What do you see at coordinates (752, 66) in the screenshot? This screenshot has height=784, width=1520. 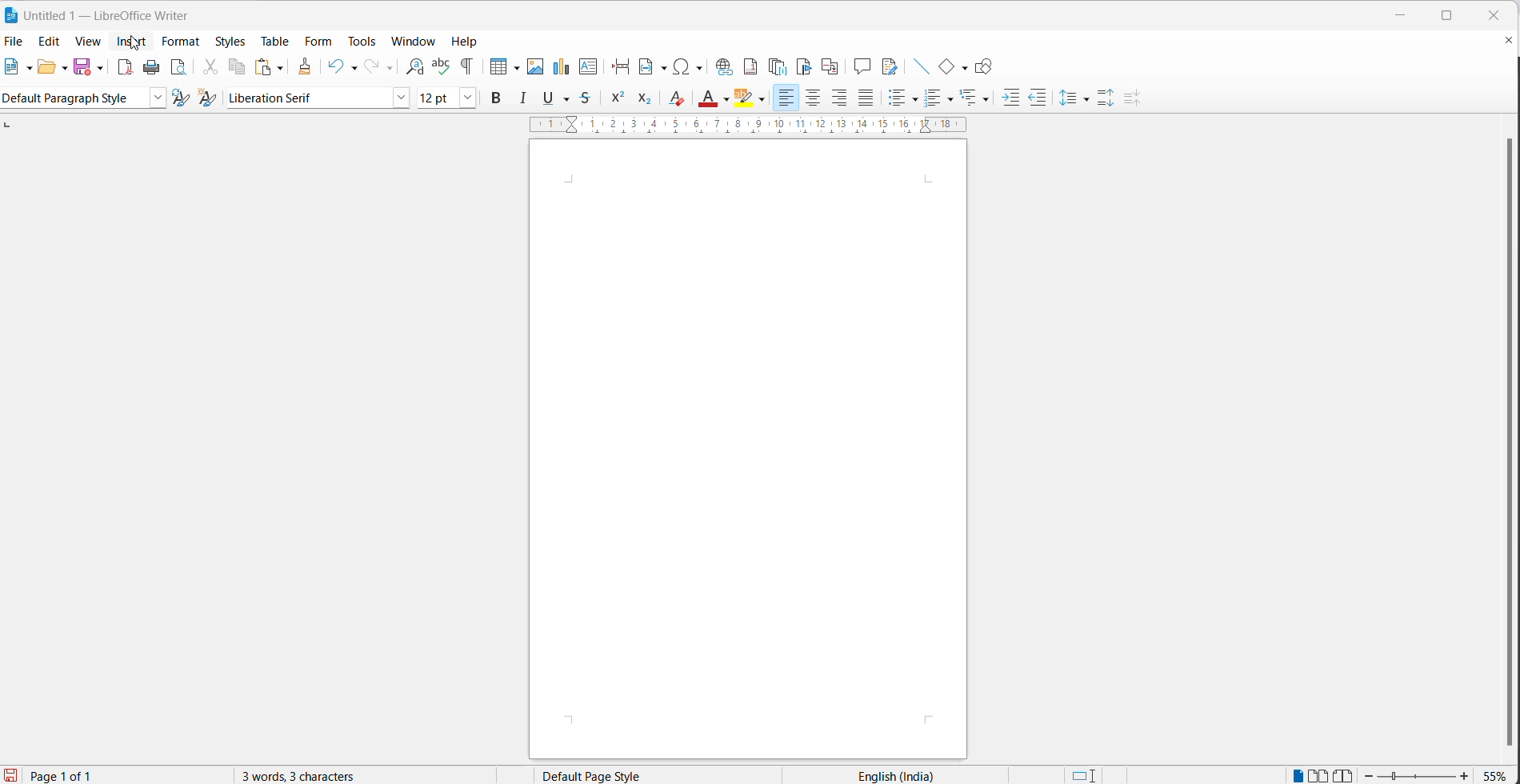 I see `insert footnote` at bounding box center [752, 66].